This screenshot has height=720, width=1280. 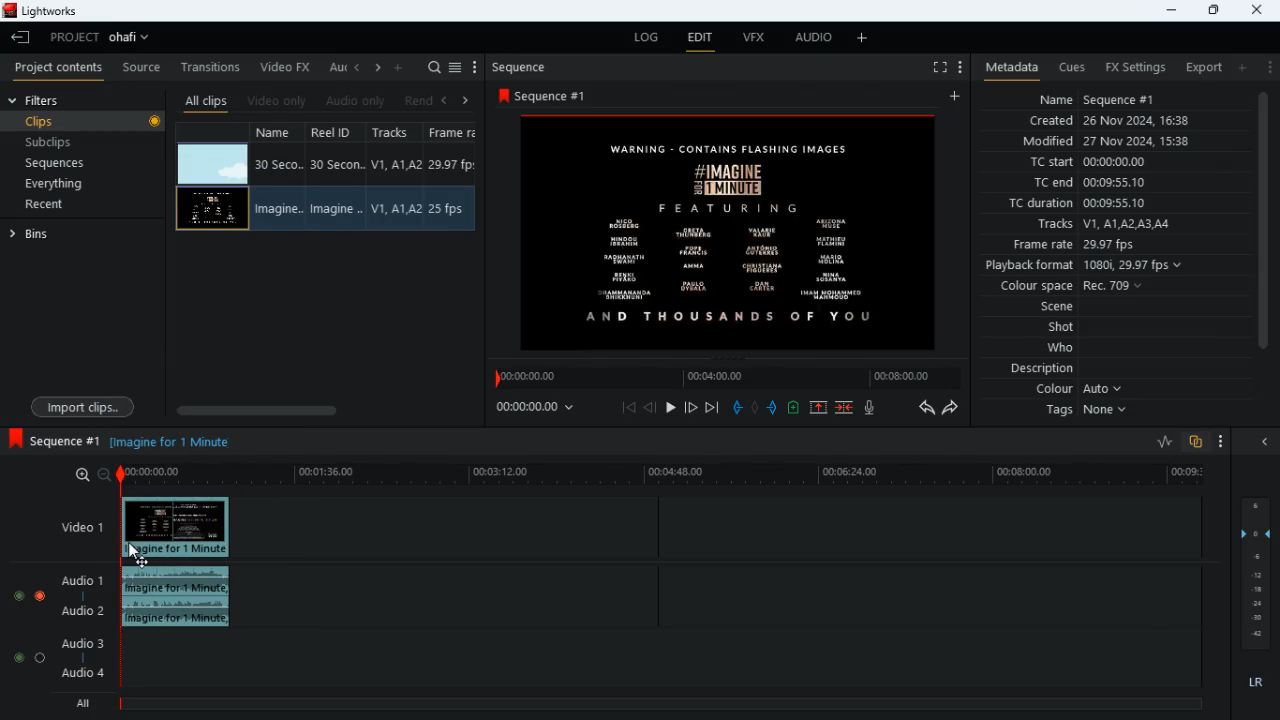 What do you see at coordinates (51, 236) in the screenshot?
I see `bins` at bounding box center [51, 236].